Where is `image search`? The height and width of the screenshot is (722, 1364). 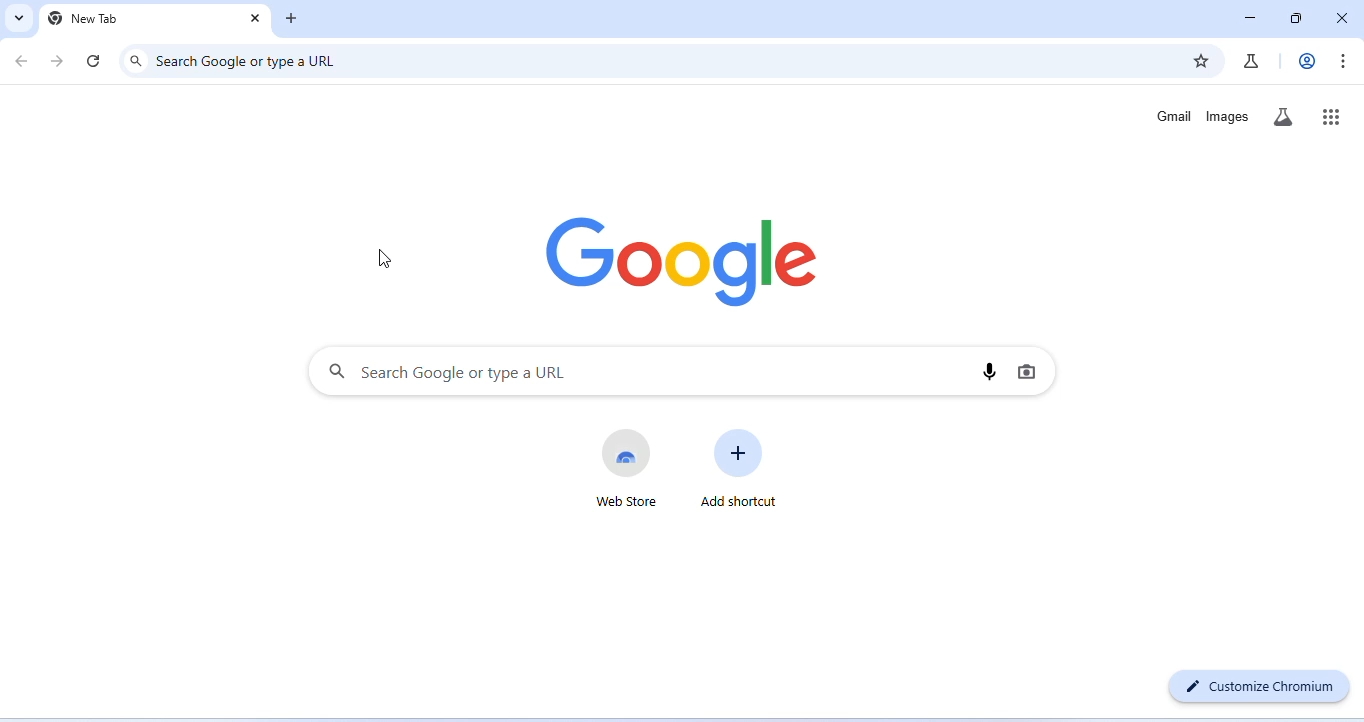 image search is located at coordinates (1029, 371).